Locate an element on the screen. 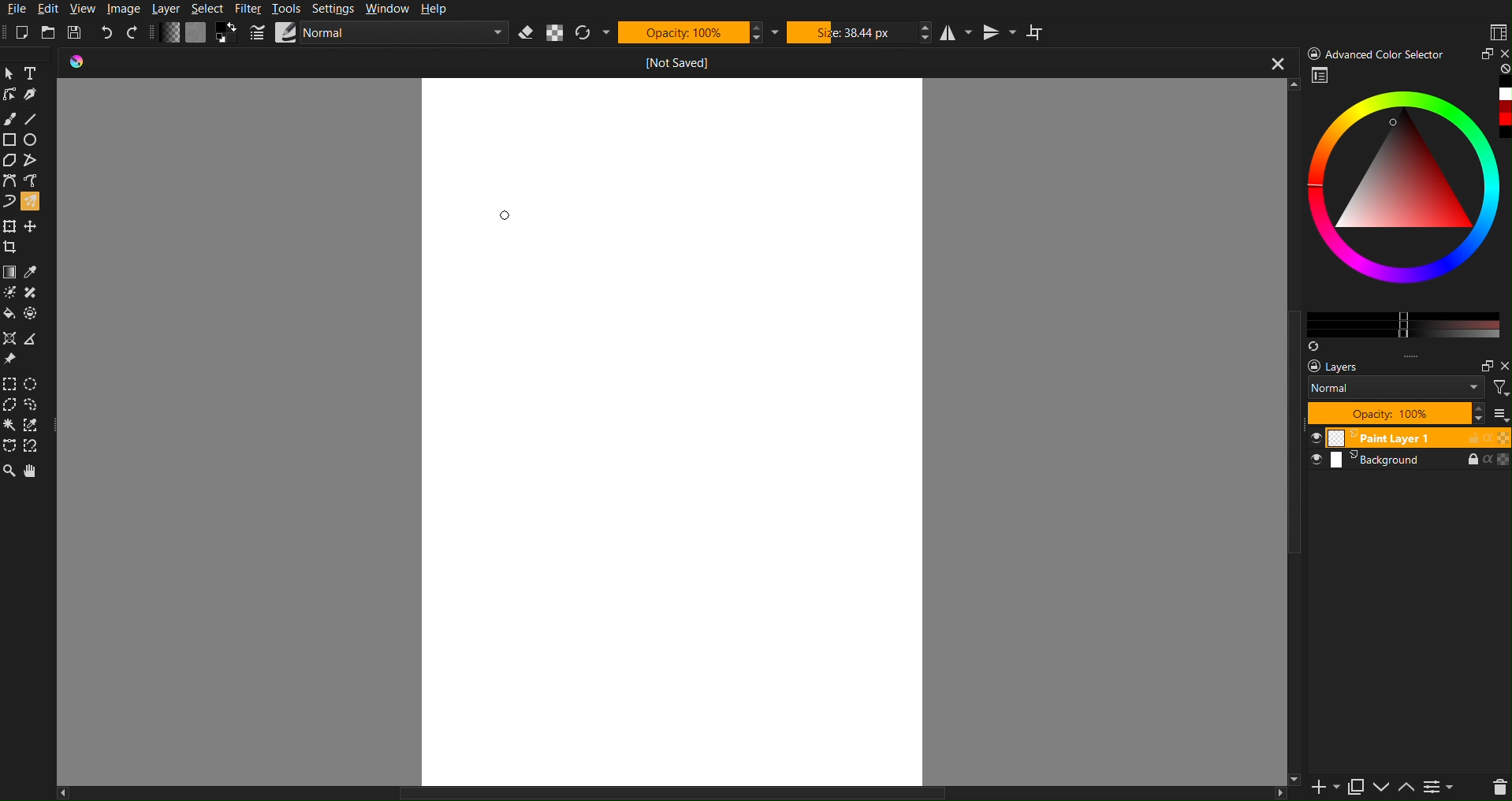 The height and width of the screenshot is (801, 1512). Advanced Color Selector is located at coordinates (1378, 53).